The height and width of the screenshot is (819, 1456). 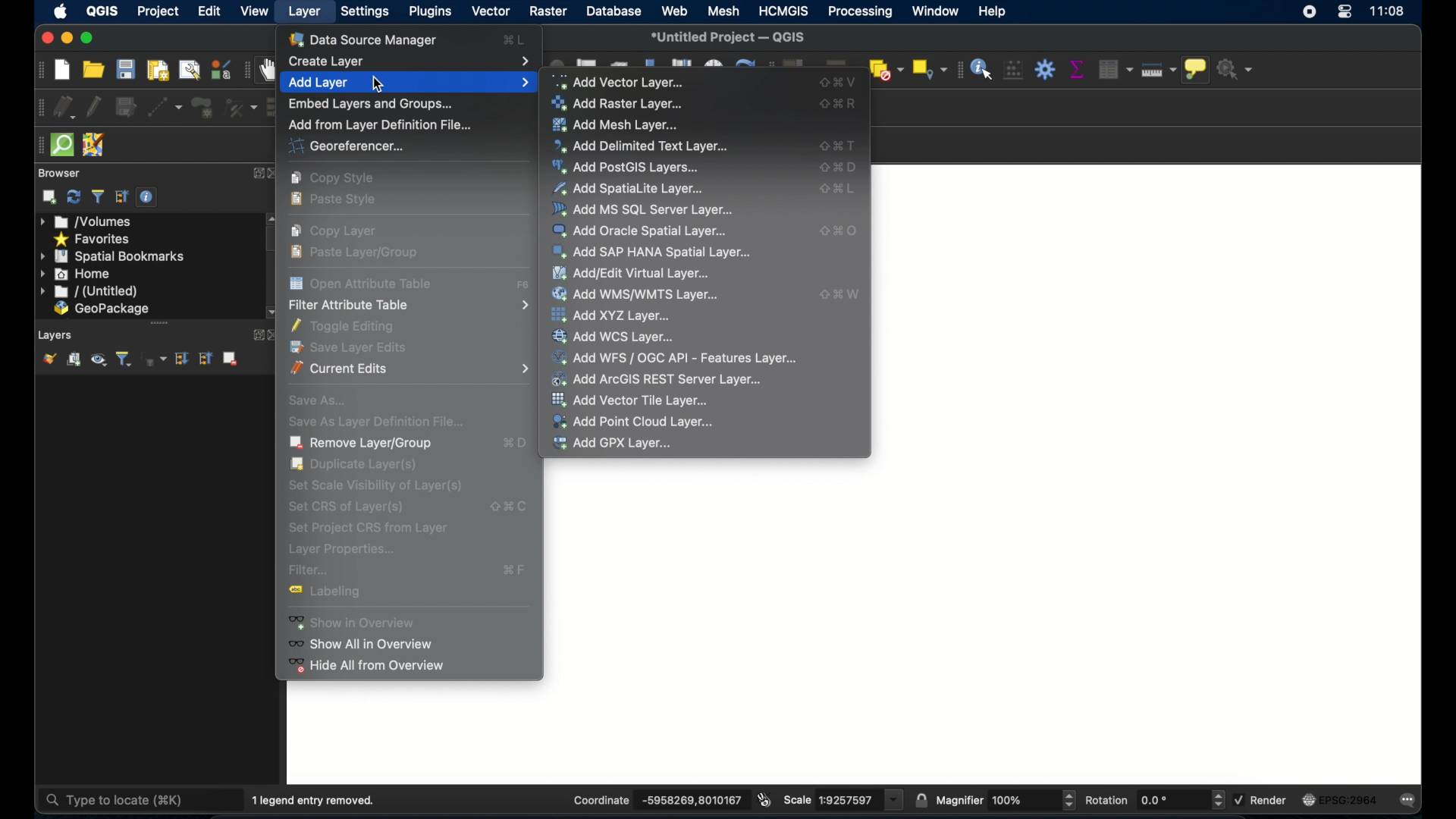 I want to click on checkbox, so click(x=1238, y=799).